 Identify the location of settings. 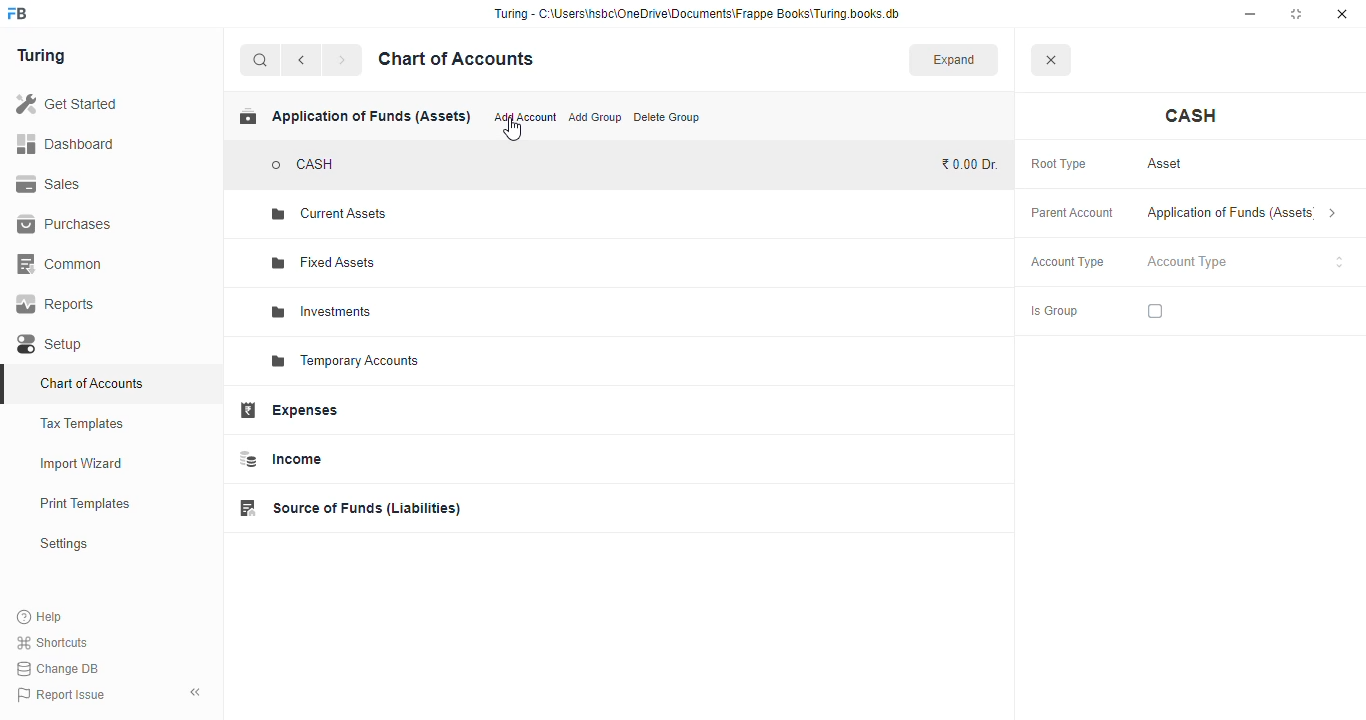
(63, 543).